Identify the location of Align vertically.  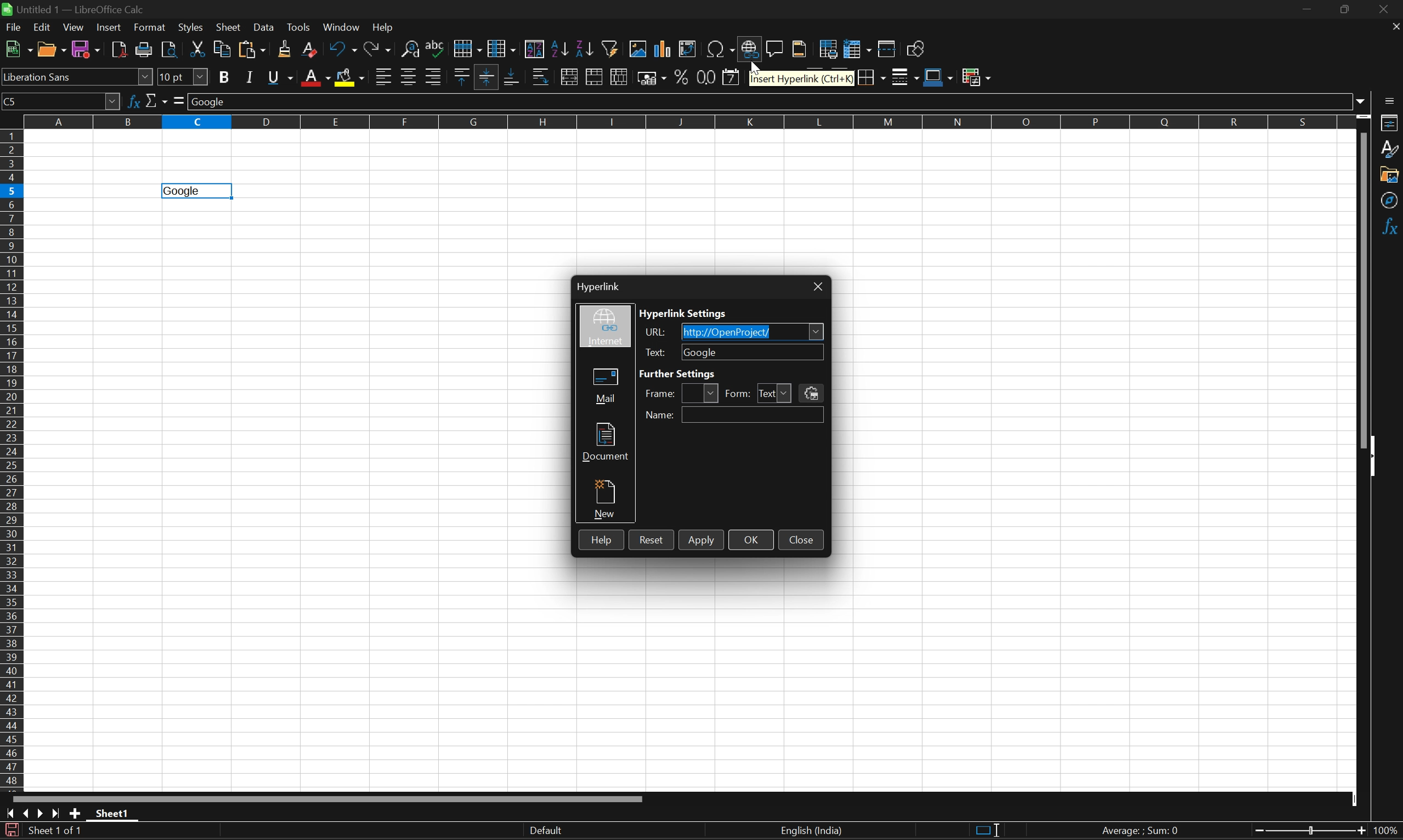
(487, 76).